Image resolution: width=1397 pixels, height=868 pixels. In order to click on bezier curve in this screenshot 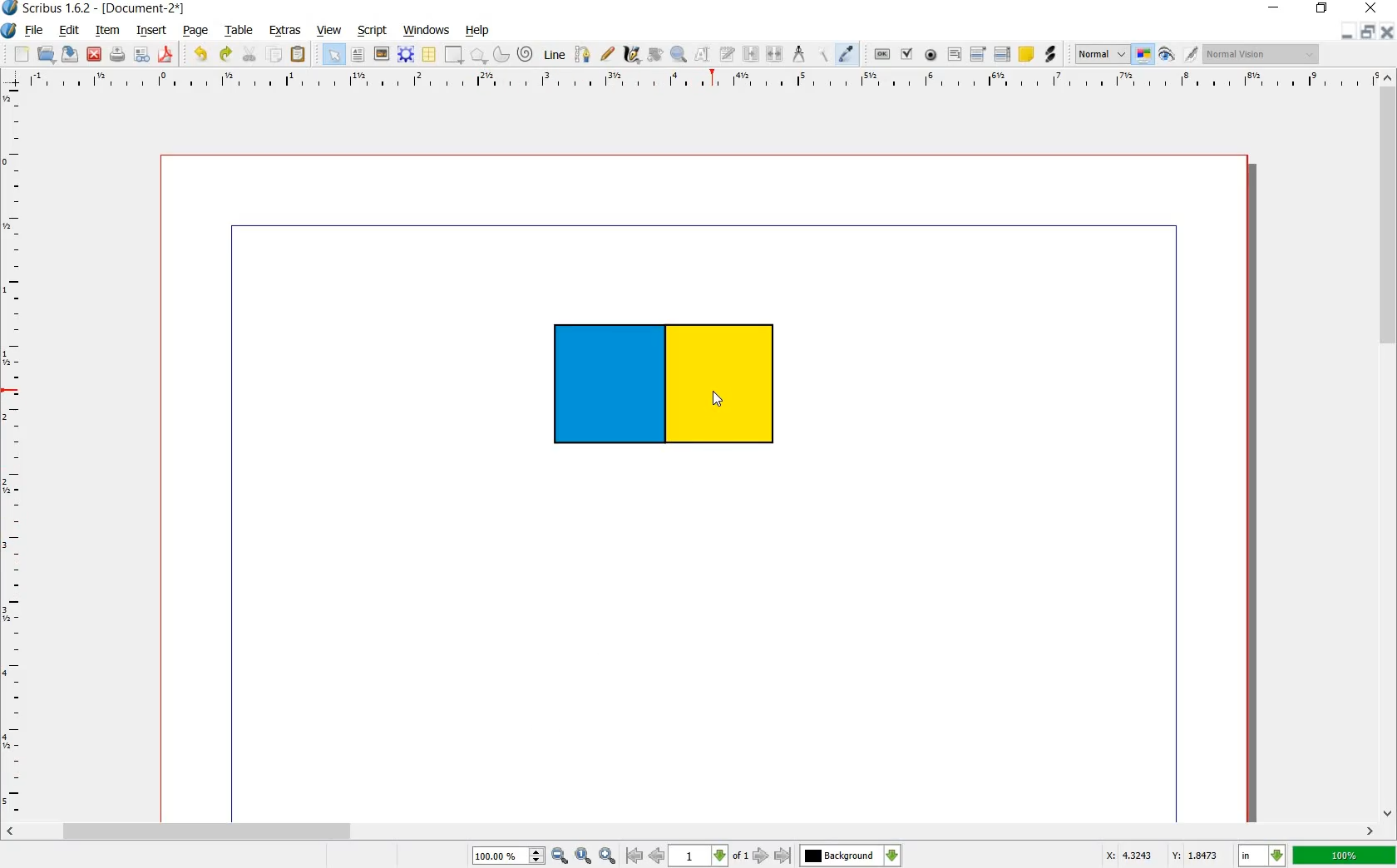, I will do `click(584, 57)`.